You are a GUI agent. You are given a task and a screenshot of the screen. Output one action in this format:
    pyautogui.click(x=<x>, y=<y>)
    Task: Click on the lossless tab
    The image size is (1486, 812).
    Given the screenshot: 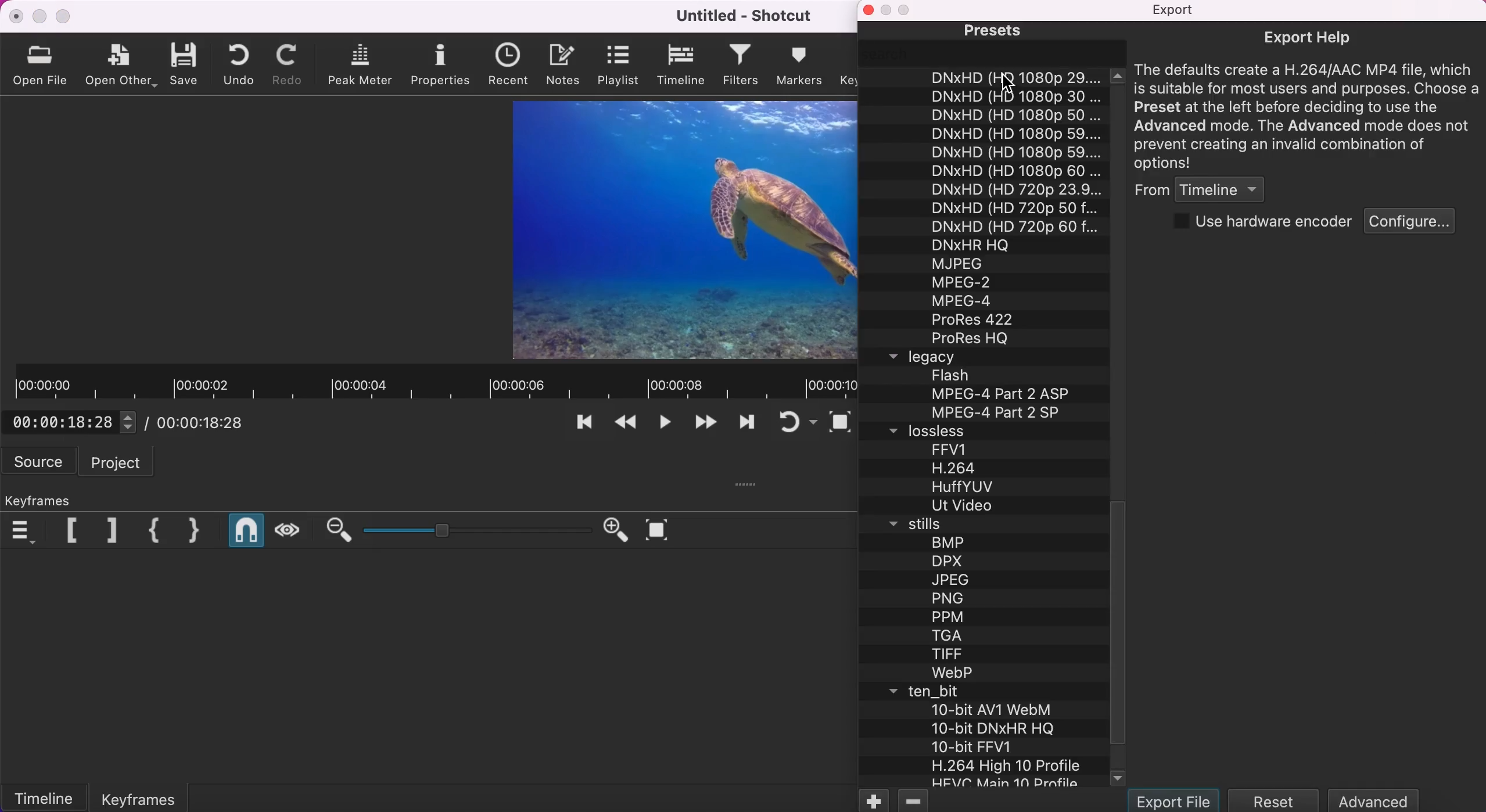 What is the action you would take?
    pyautogui.click(x=982, y=432)
    